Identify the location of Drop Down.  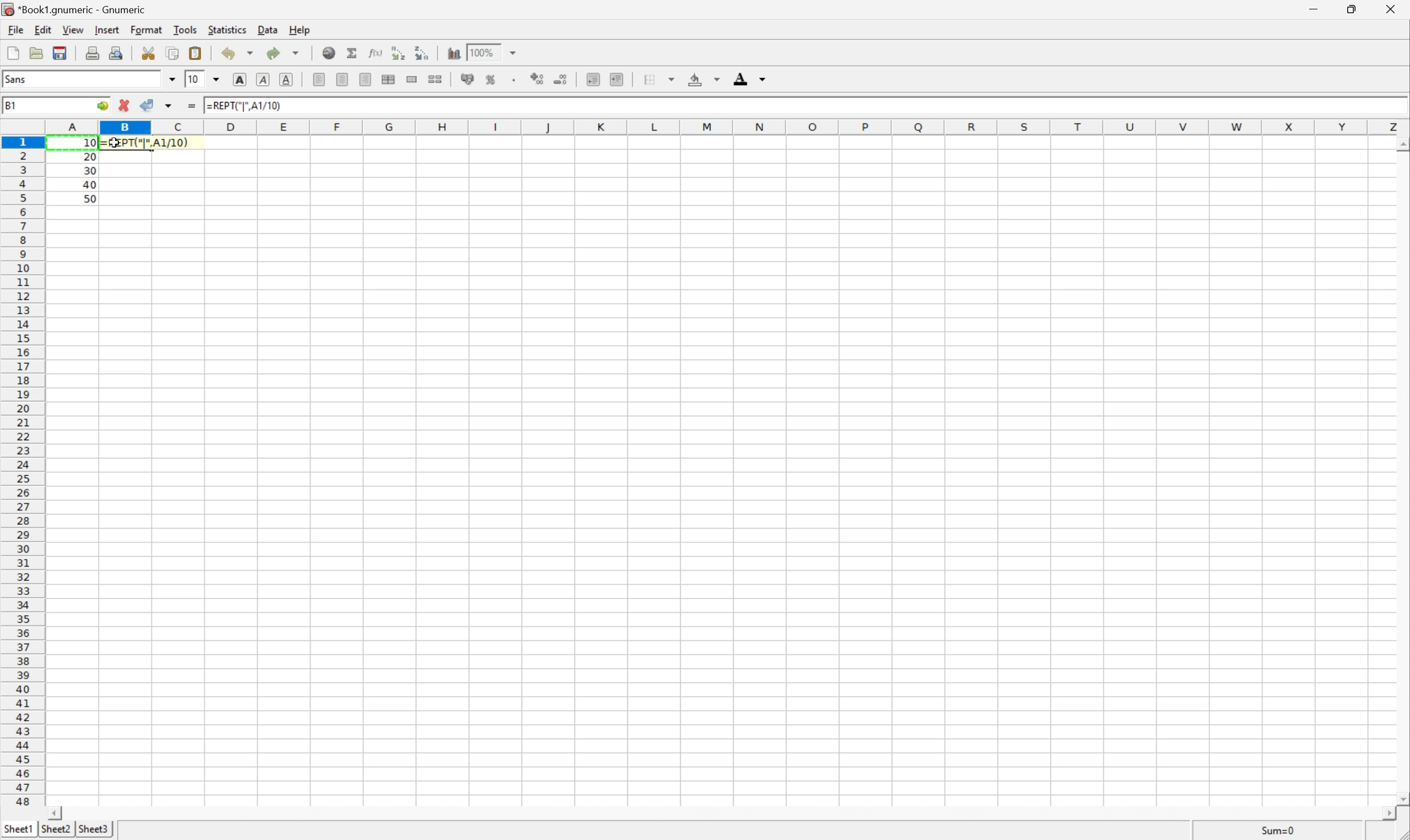
(514, 51).